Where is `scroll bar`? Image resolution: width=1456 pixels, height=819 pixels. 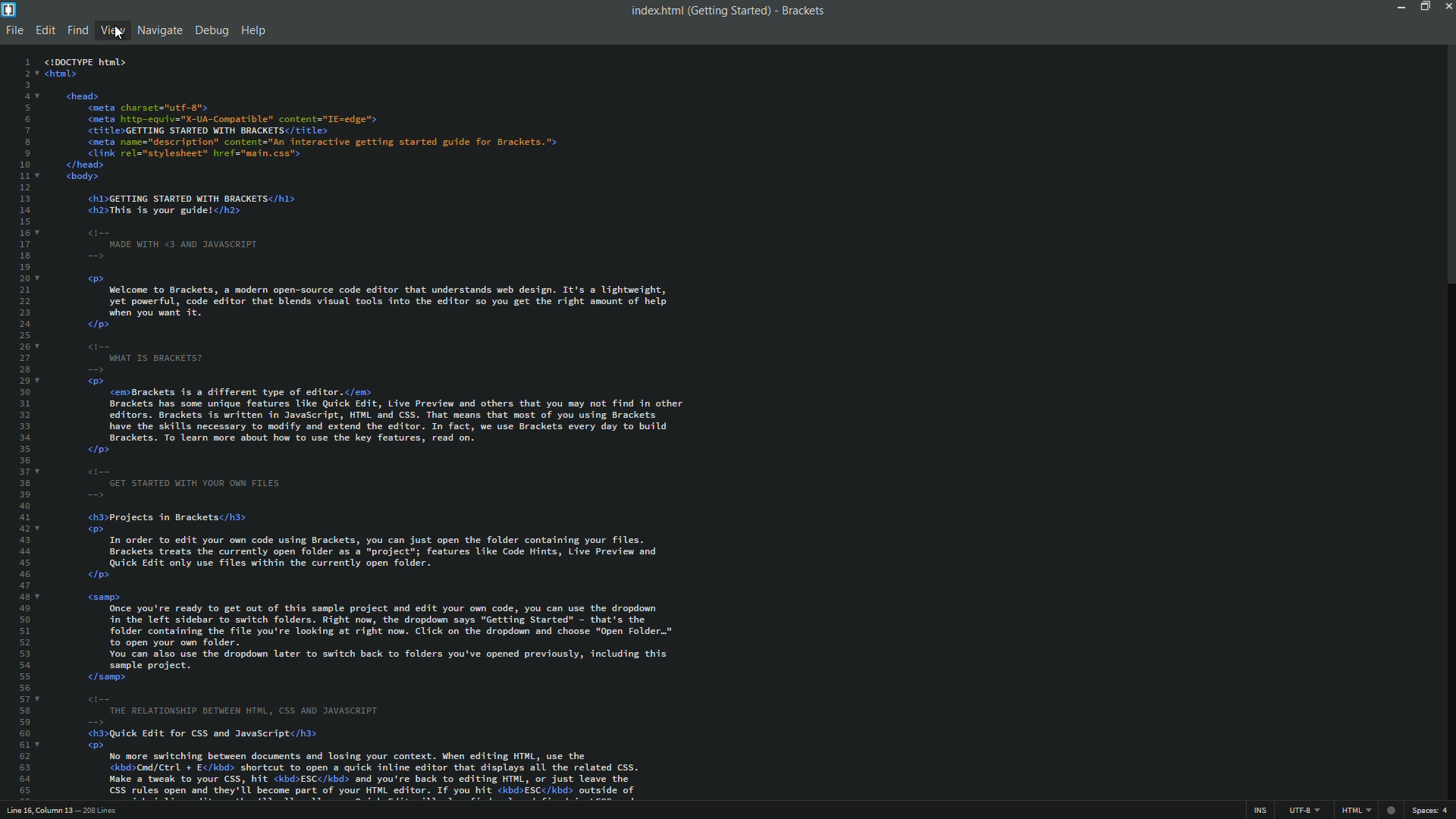
scroll bar is located at coordinates (1447, 168).